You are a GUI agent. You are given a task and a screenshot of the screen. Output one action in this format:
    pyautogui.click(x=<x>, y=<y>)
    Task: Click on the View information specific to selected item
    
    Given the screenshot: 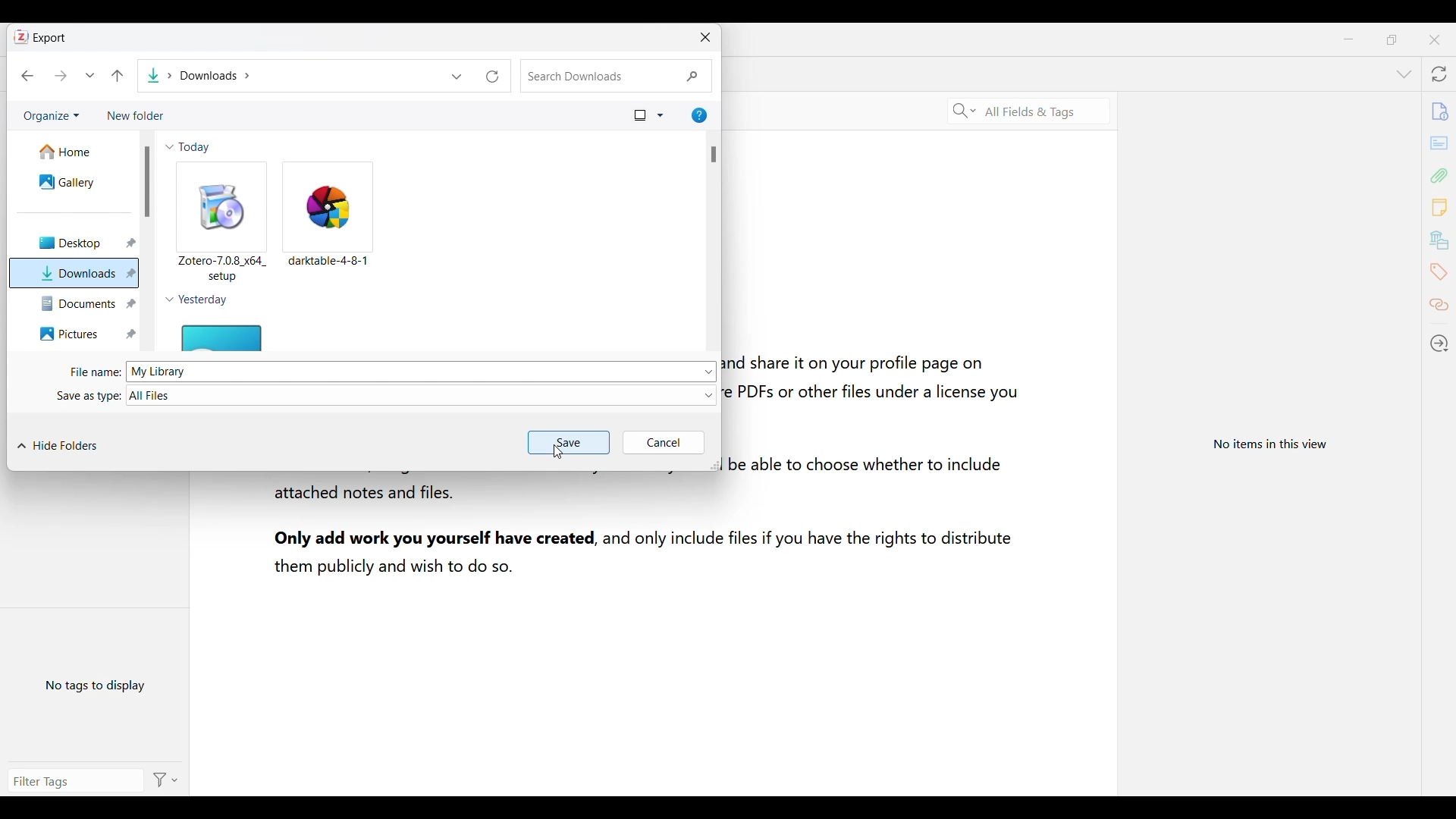 What is the action you would take?
    pyautogui.click(x=1274, y=442)
    